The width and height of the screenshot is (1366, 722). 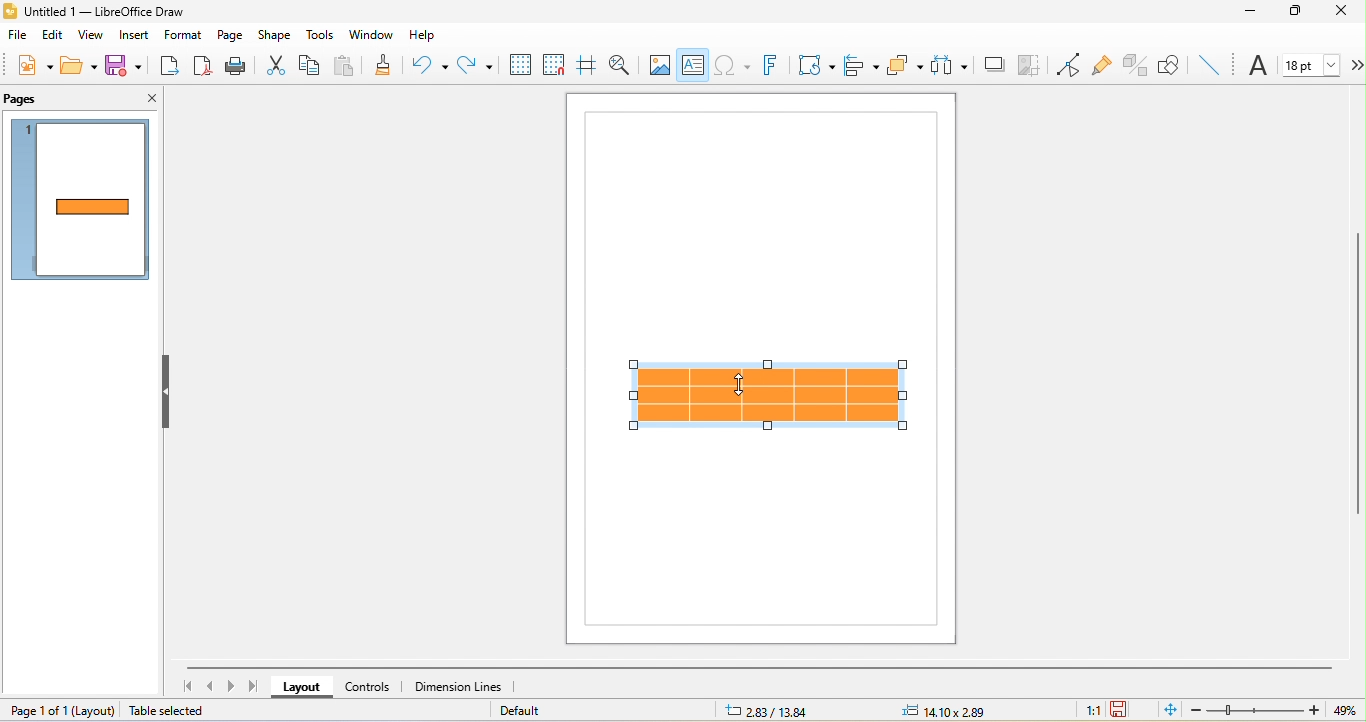 I want to click on previous page, so click(x=212, y=688).